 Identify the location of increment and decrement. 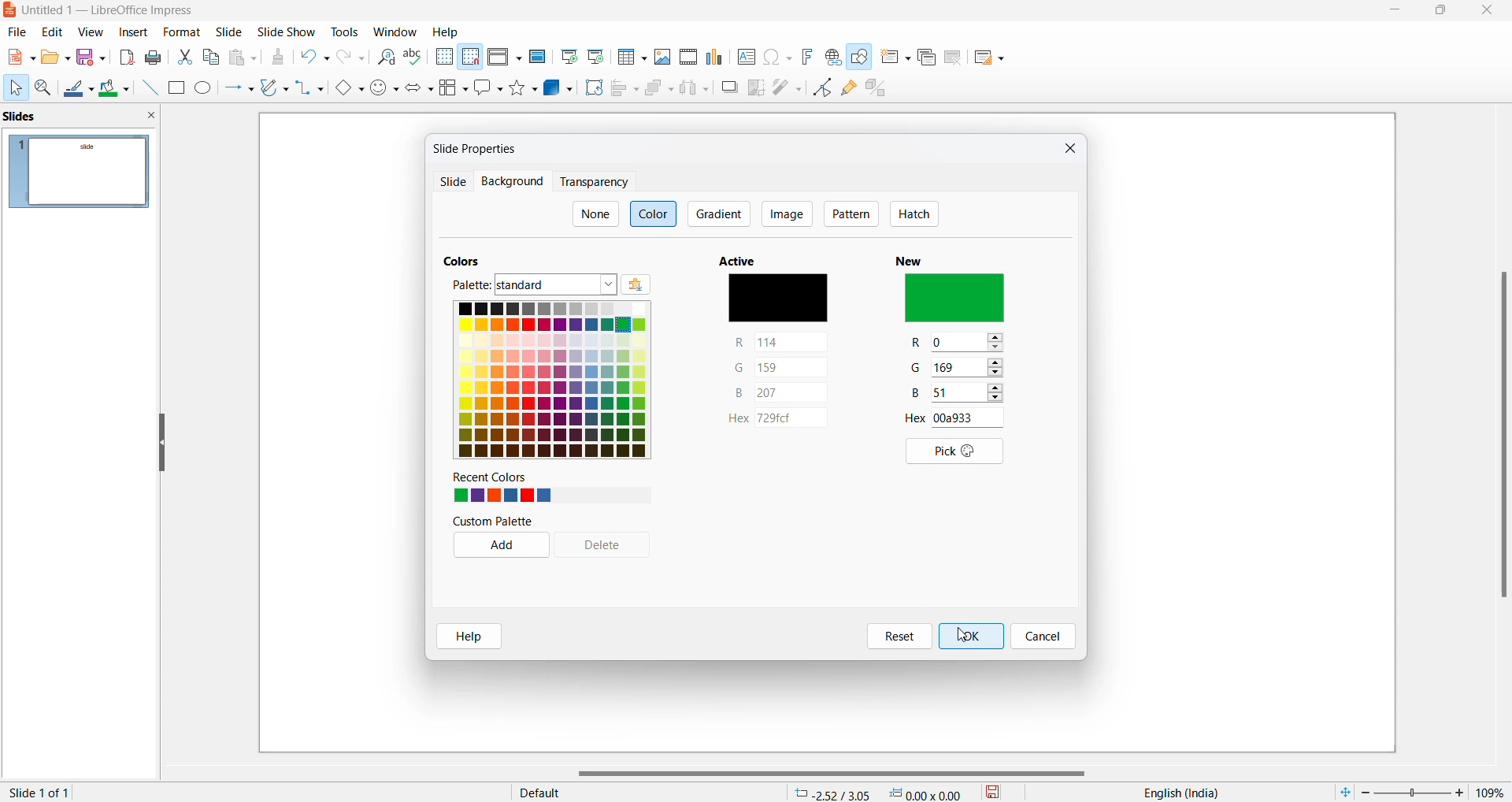
(1000, 394).